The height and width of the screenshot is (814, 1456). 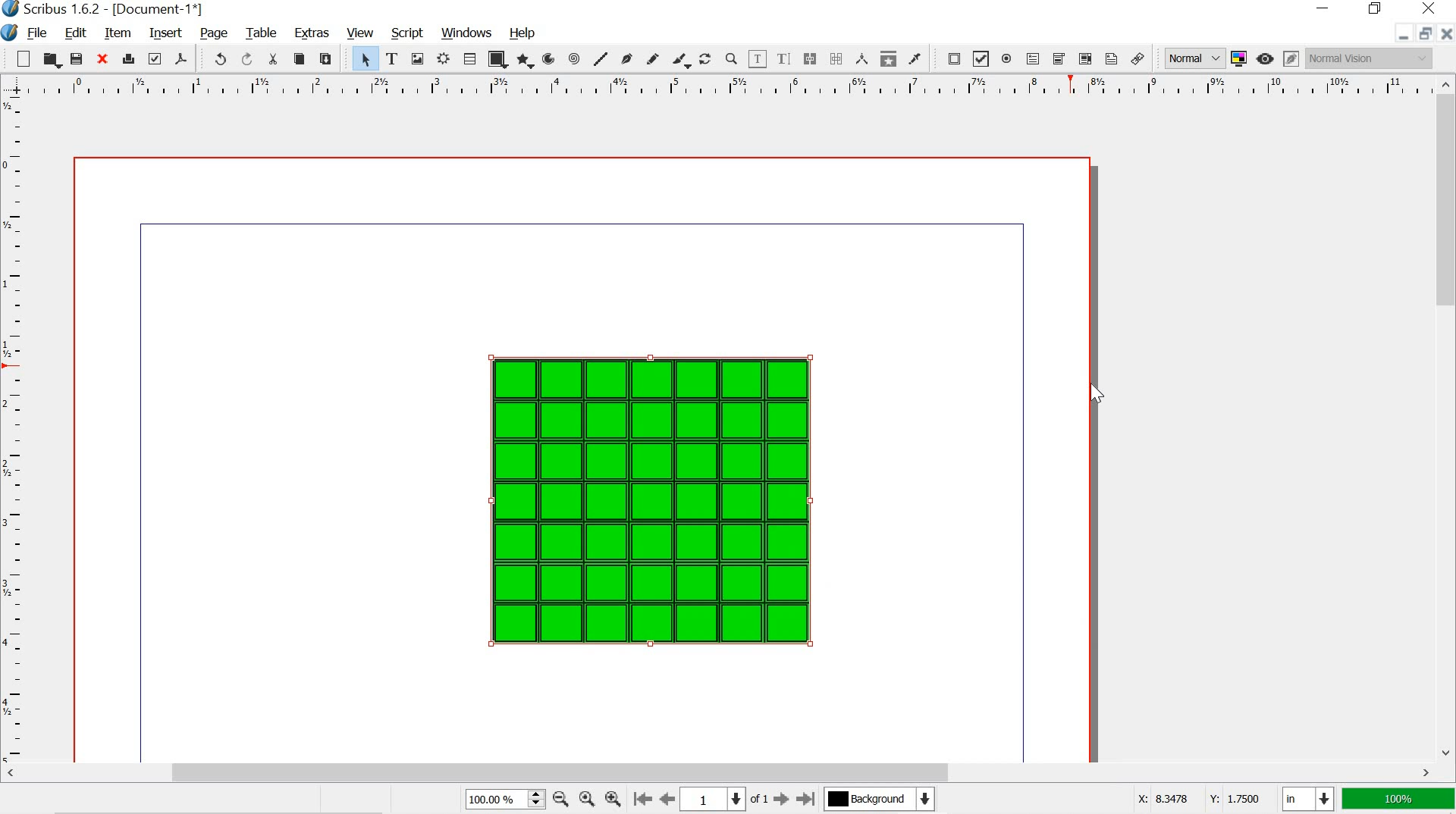 What do you see at coordinates (809, 59) in the screenshot?
I see `link text frames` at bounding box center [809, 59].